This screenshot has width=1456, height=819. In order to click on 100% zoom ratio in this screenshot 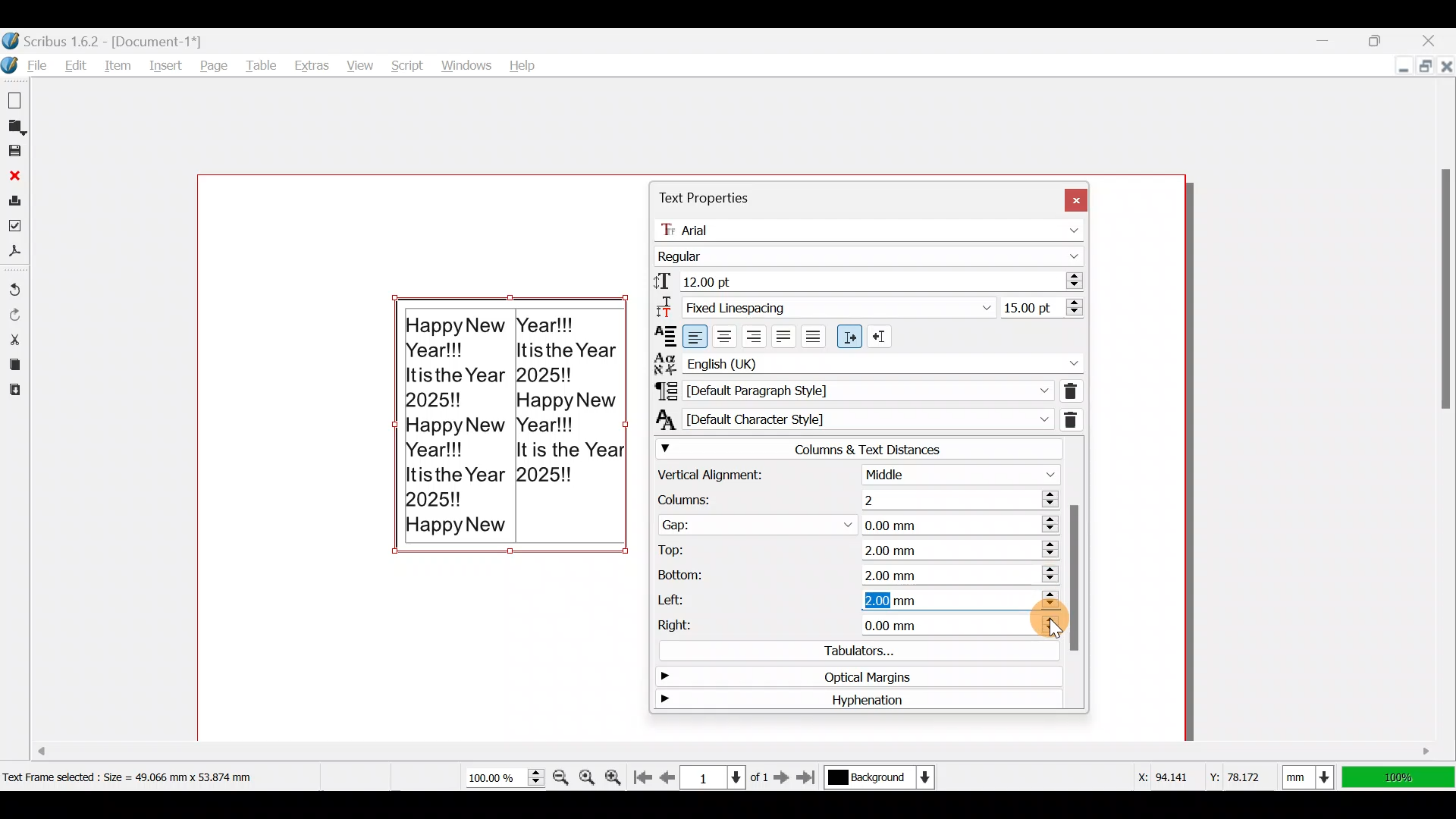, I will do `click(1401, 777)`.